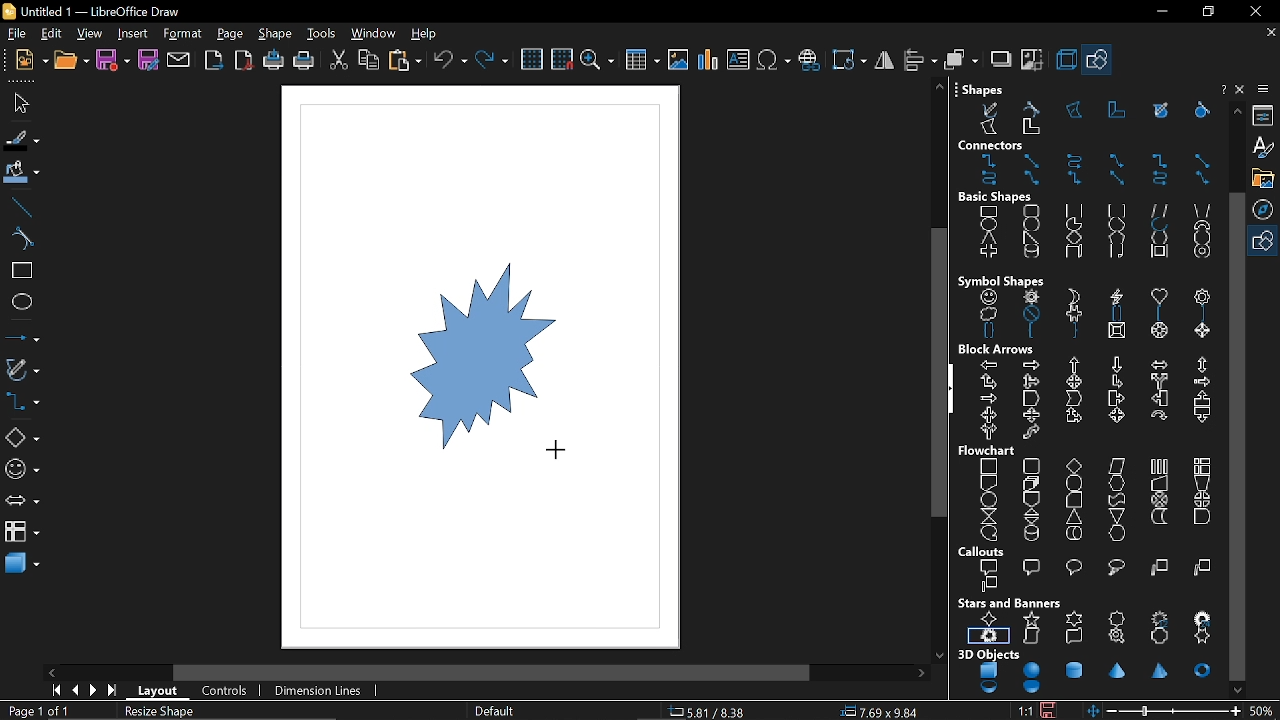  What do you see at coordinates (707, 60) in the screenshot?
I see `Insert chart` at bounding box center [707, 60].